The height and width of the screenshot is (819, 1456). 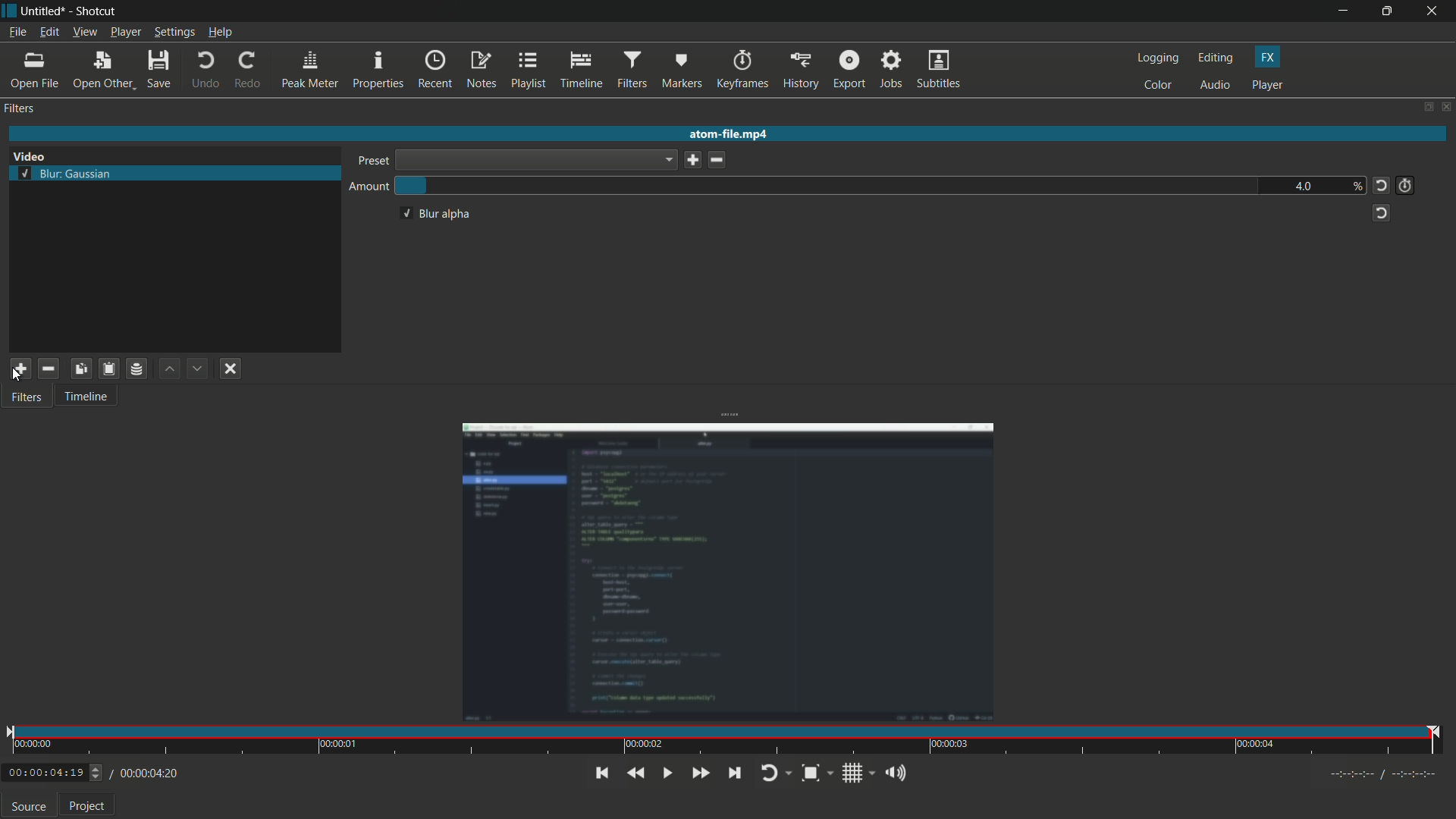 What do you see at coordinates (817, 774) in the screenshot?
I see `toggle zoom` at bounding box center [817, 774].